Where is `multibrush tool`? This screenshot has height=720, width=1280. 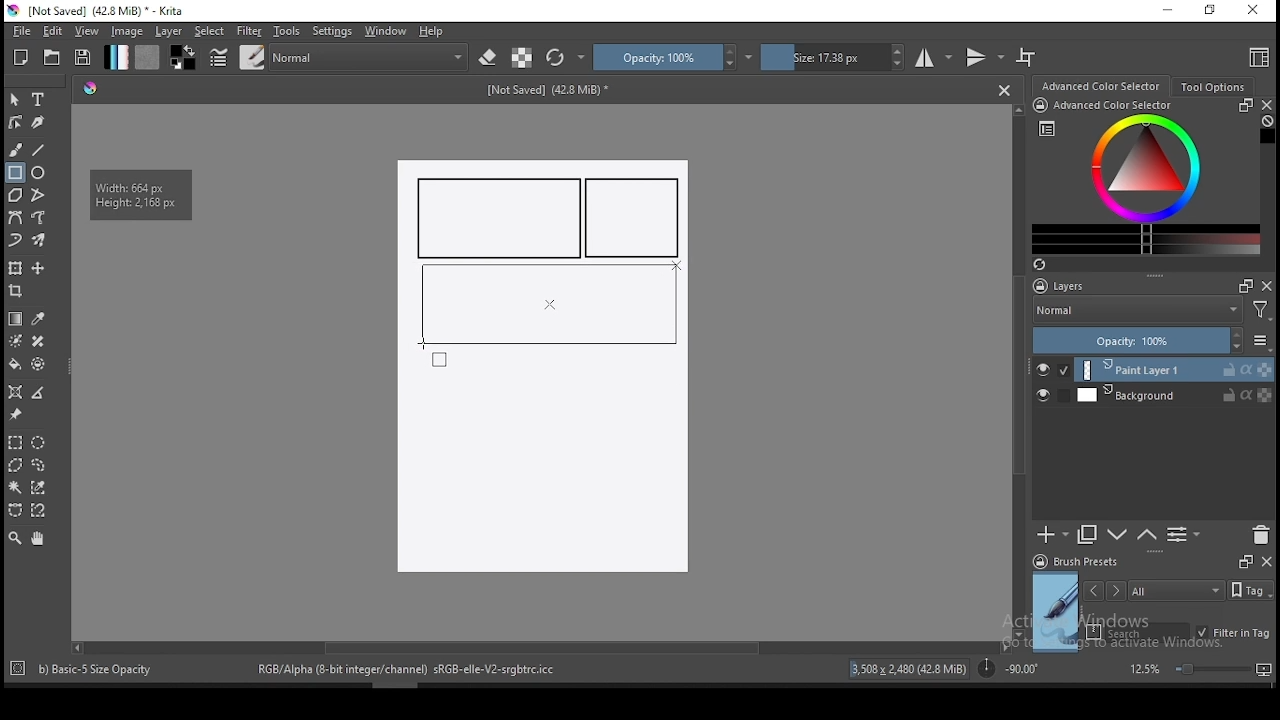 multibrush tool is located at coordinates (40, 242).